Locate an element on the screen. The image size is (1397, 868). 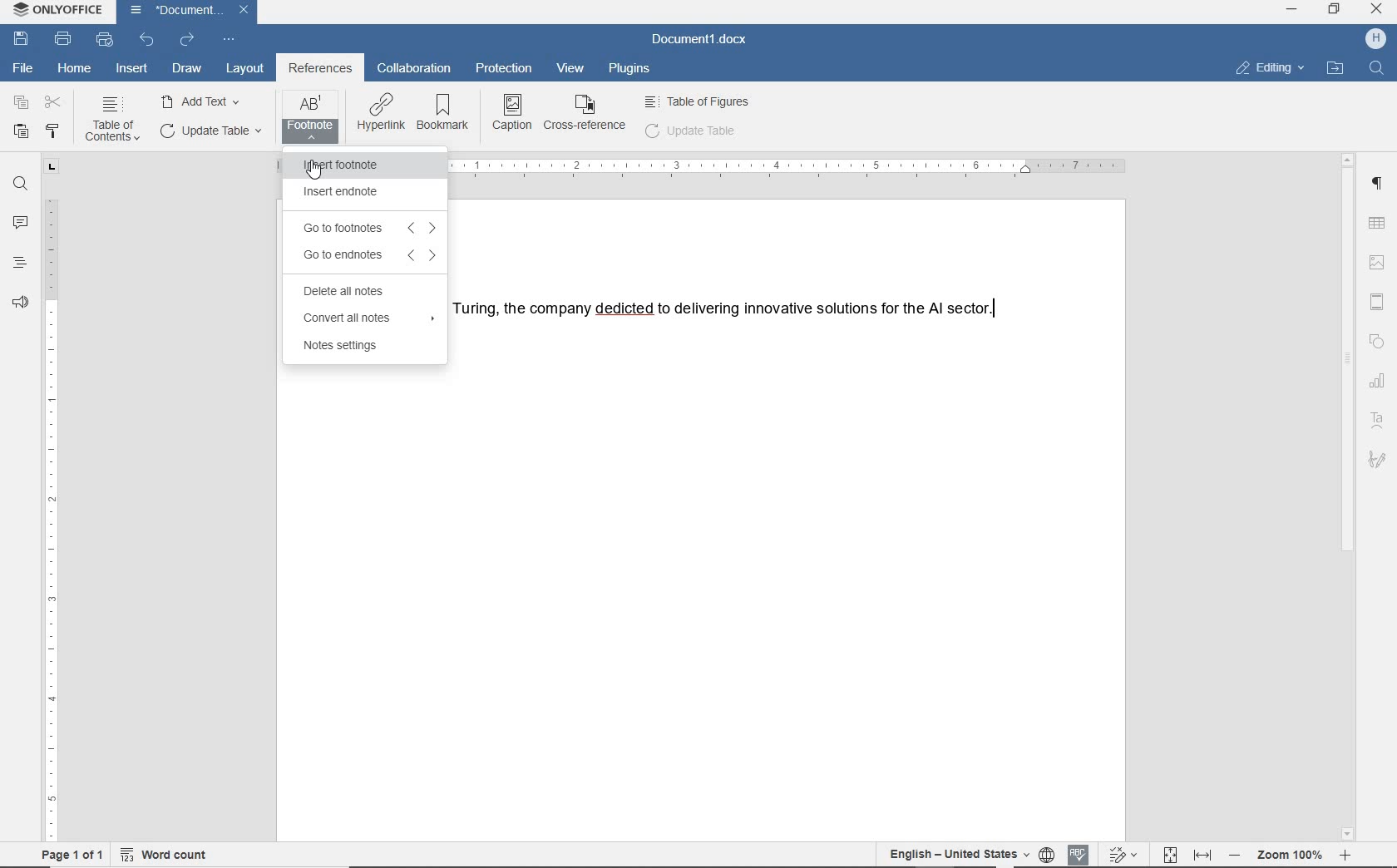
mouse pointer is located at coordinates (313, 170).